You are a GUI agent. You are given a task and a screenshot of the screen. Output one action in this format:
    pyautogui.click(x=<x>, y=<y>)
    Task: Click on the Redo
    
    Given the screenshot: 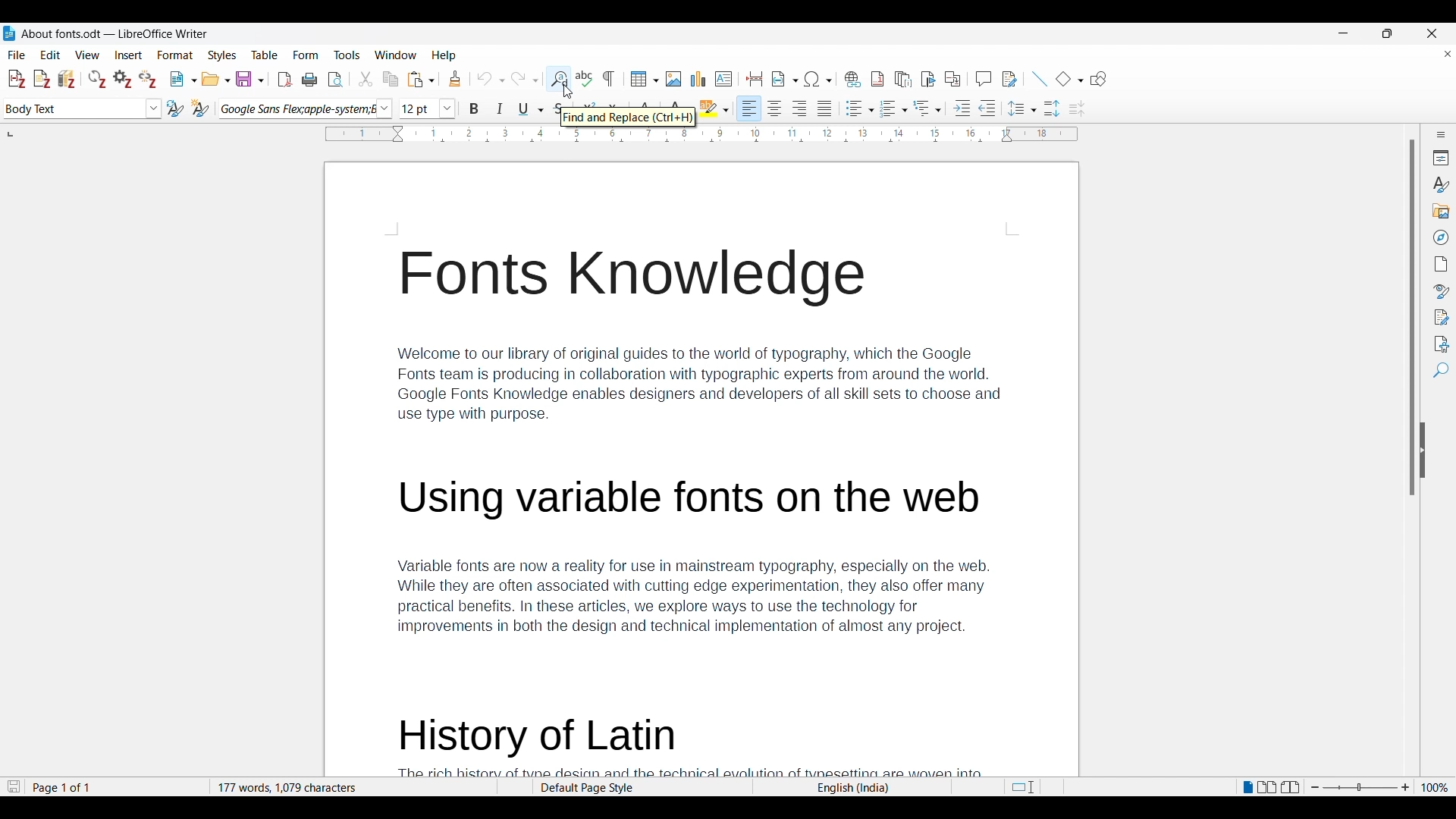 What is the action you would take?
    pyautogui.click(x=524, y=77)
    